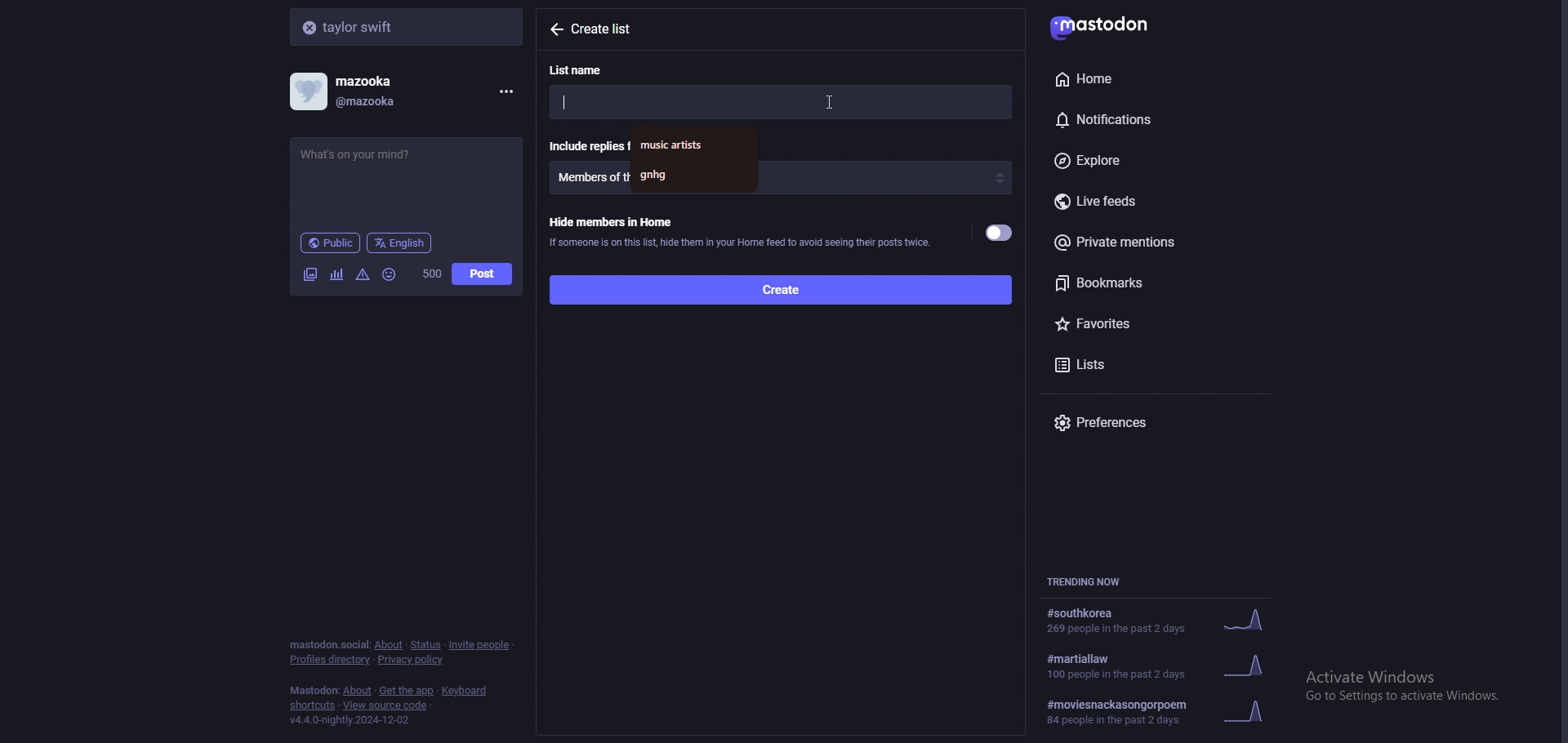 This screenshot has height=743, width=1568. I want to click on image, so click(310, 274).